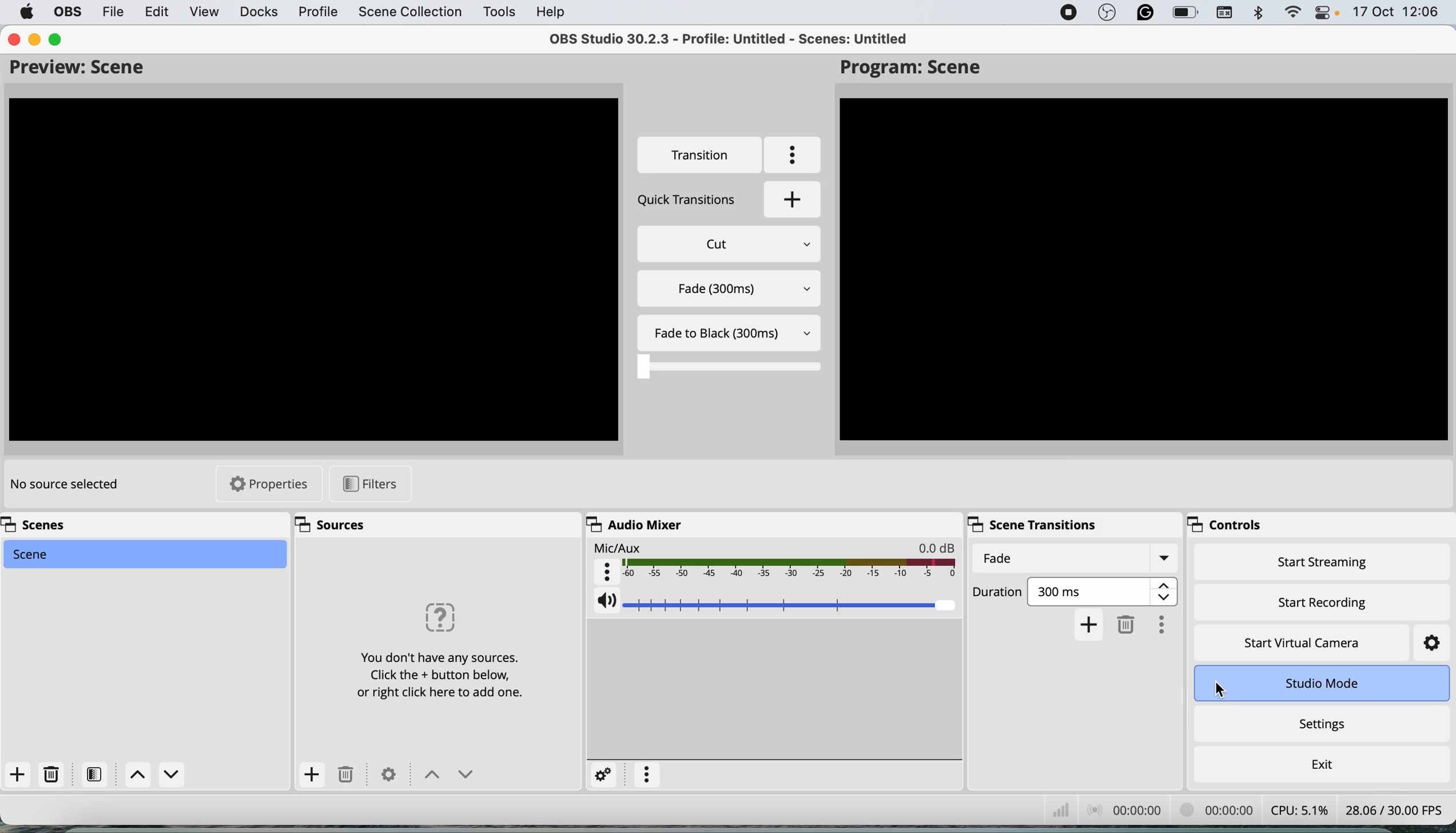 The image size is (1456, 833). What do you see at coordinates (1297, 808) in the screenshot?
I see `cpu usage` at bounding box center [1297, 808].